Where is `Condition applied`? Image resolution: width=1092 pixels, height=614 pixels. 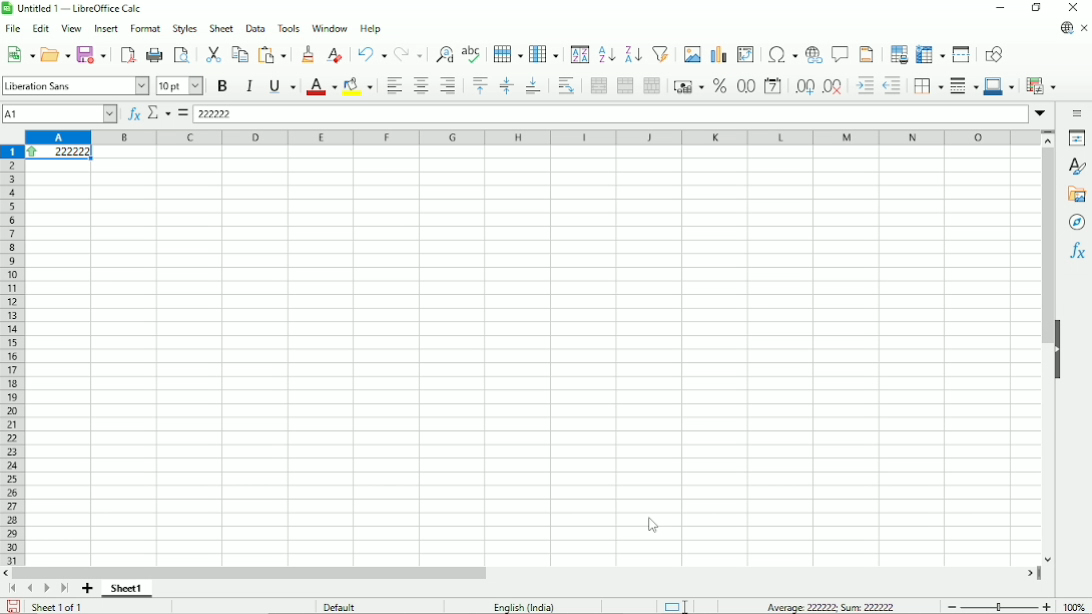 Condition applied is located at coordinates (59, 153).